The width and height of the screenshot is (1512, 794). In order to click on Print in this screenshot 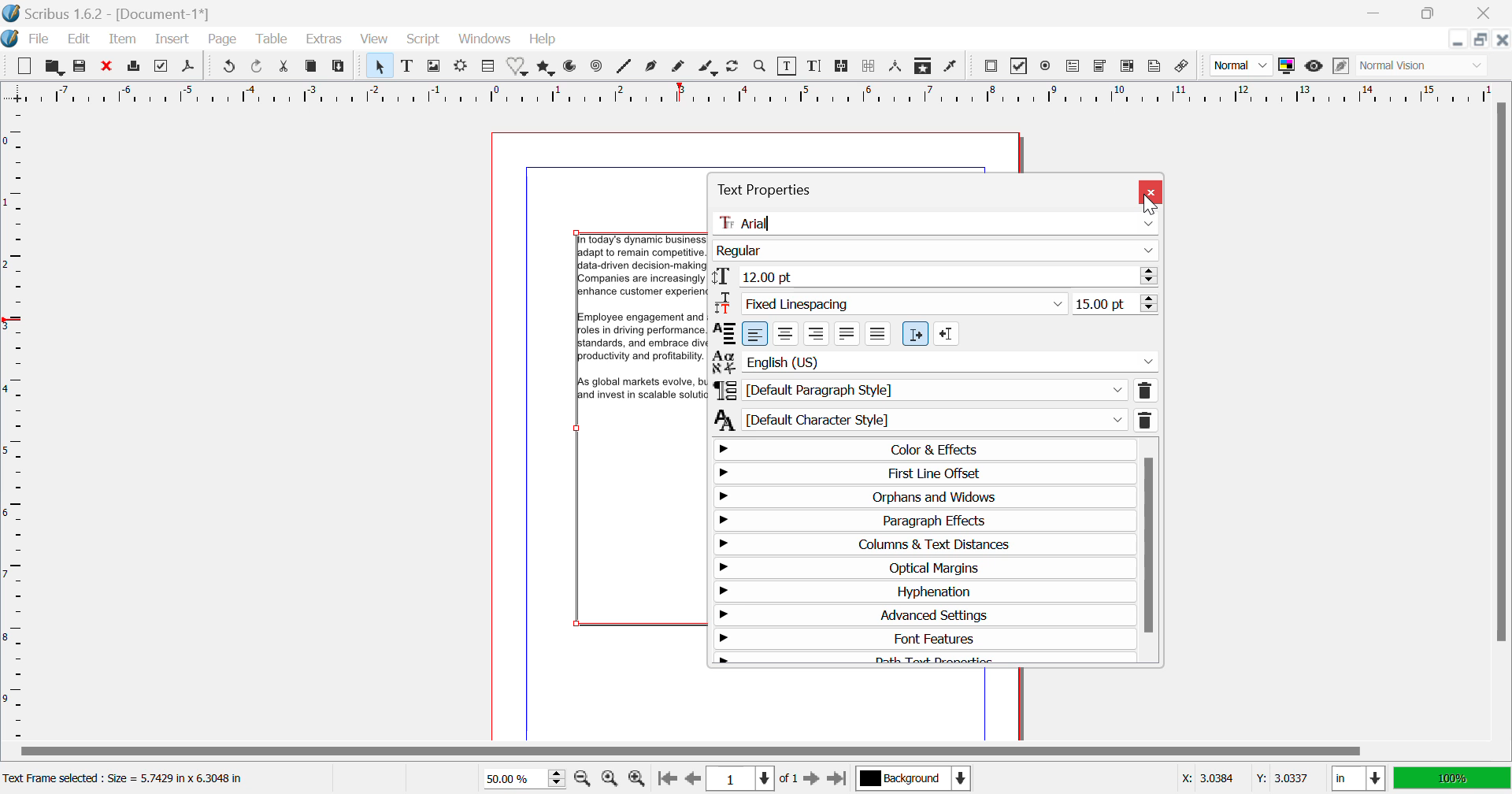, I will do `click(136, 67)`.